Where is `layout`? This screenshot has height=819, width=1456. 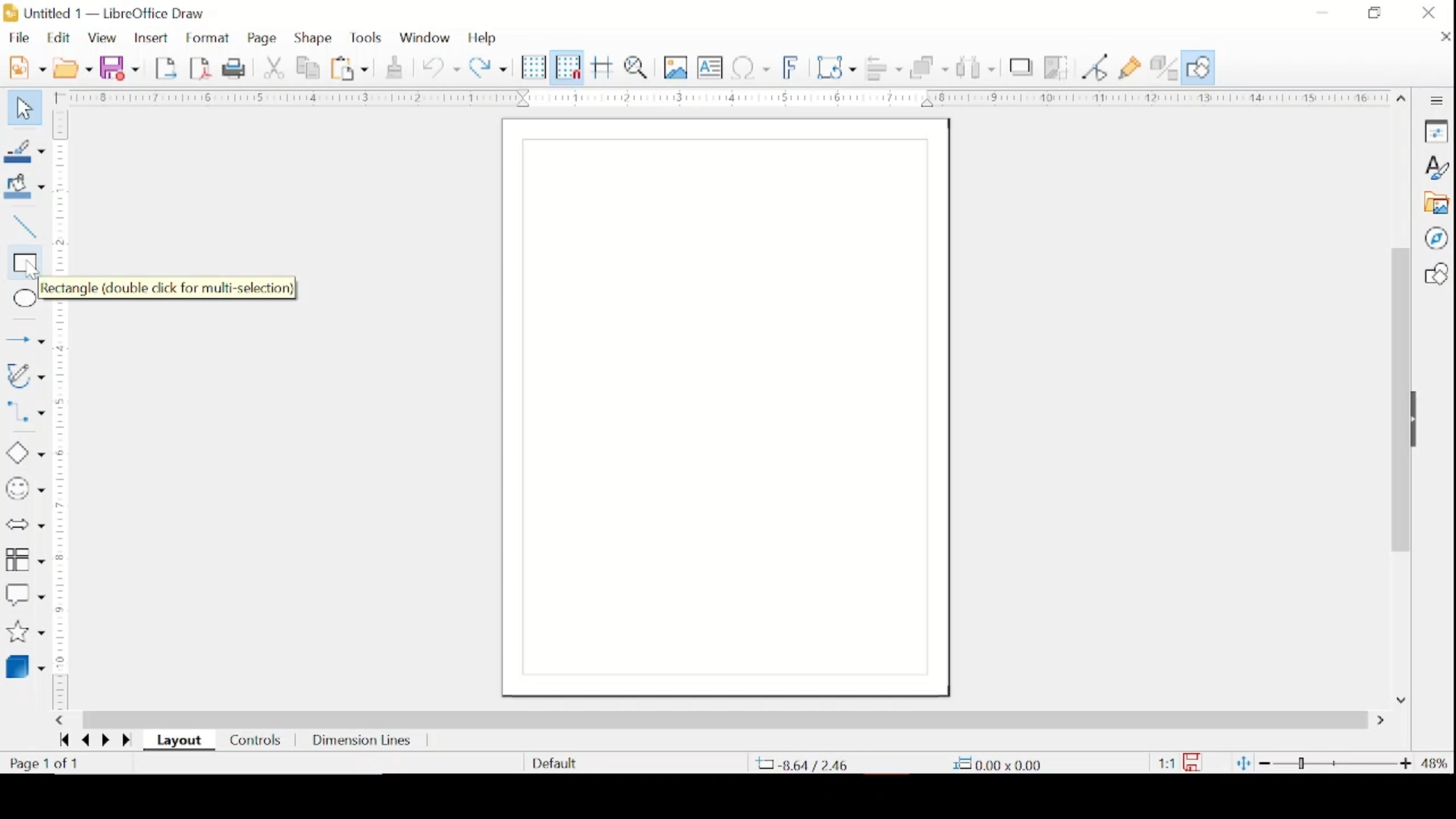 layout is located at coordinates (182, 741).